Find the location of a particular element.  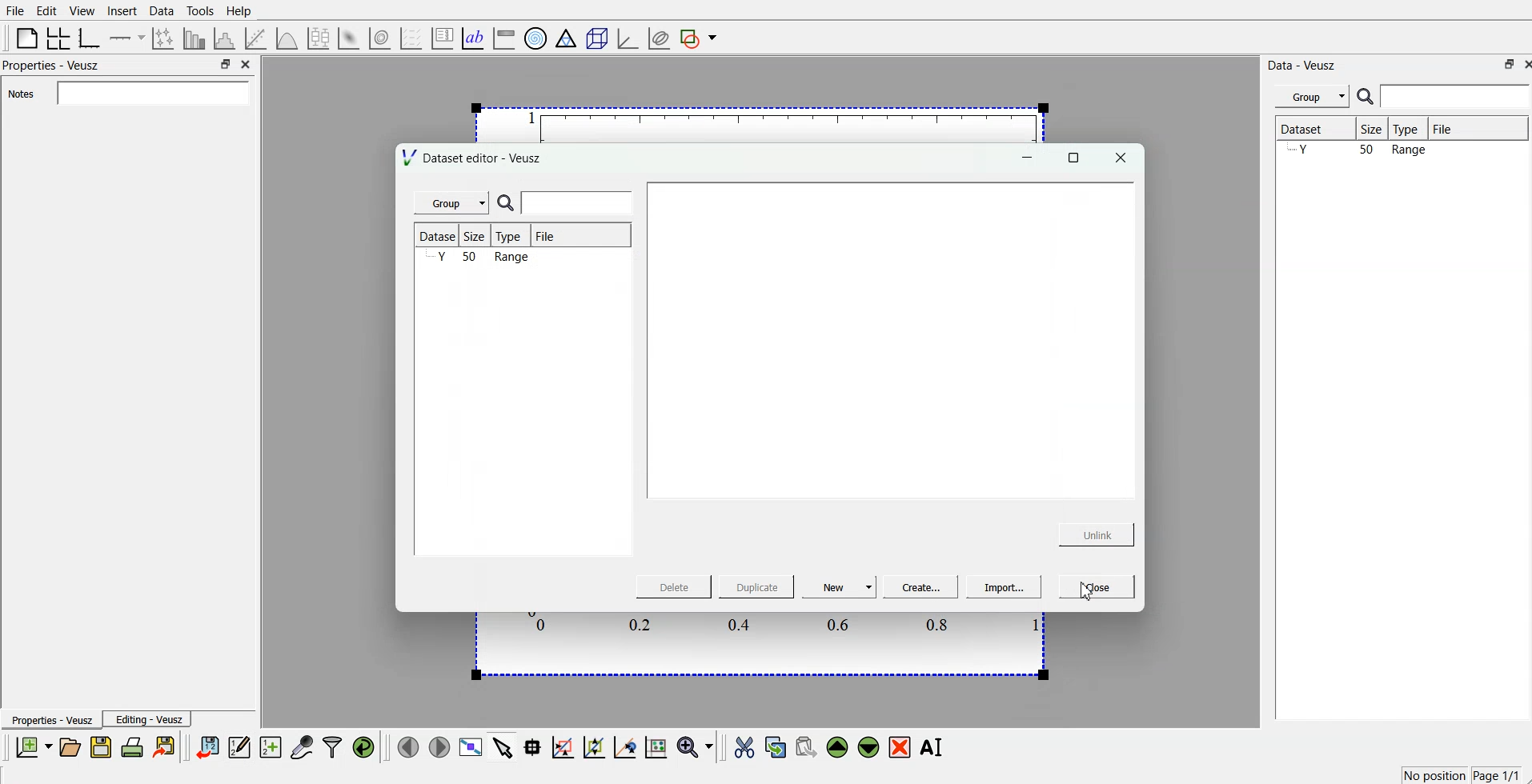

import data points is located at coordinates (208, 748).